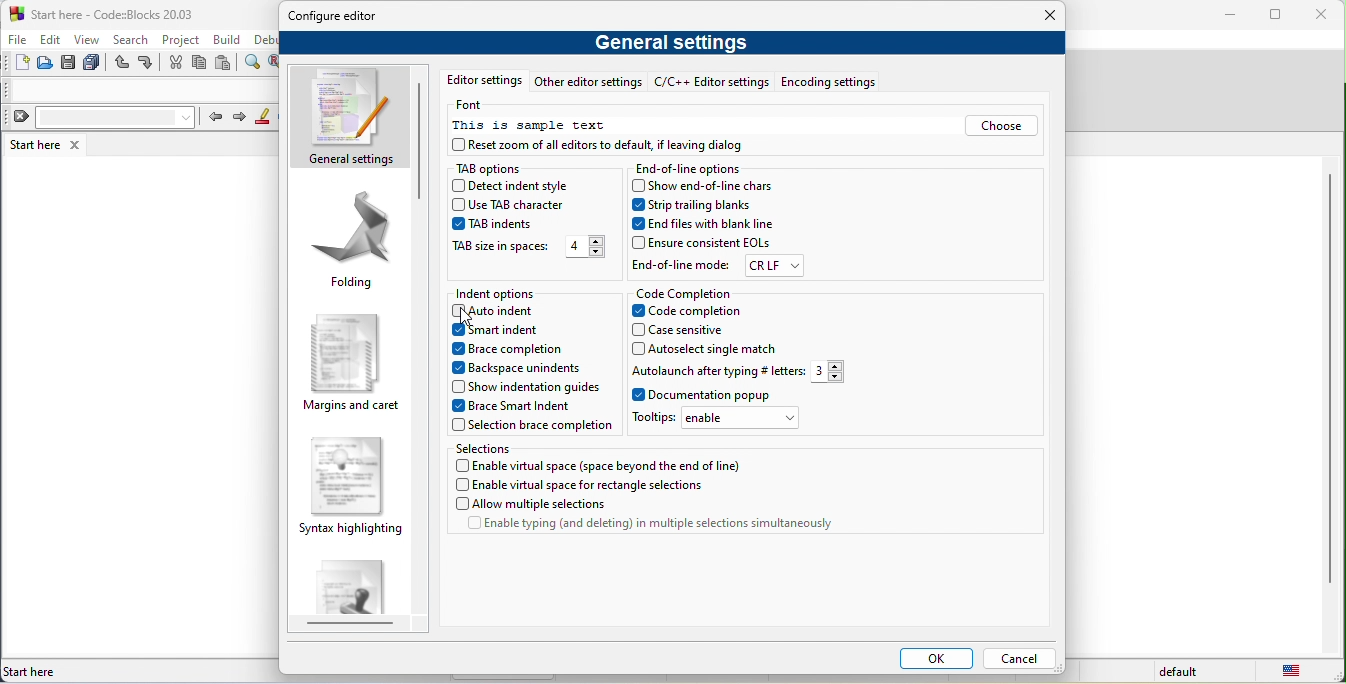 This screenshot has height=684, width=1346. Describe the element at coordinates (352, 360) in the screenshot. I see `margins and caret` at that location.